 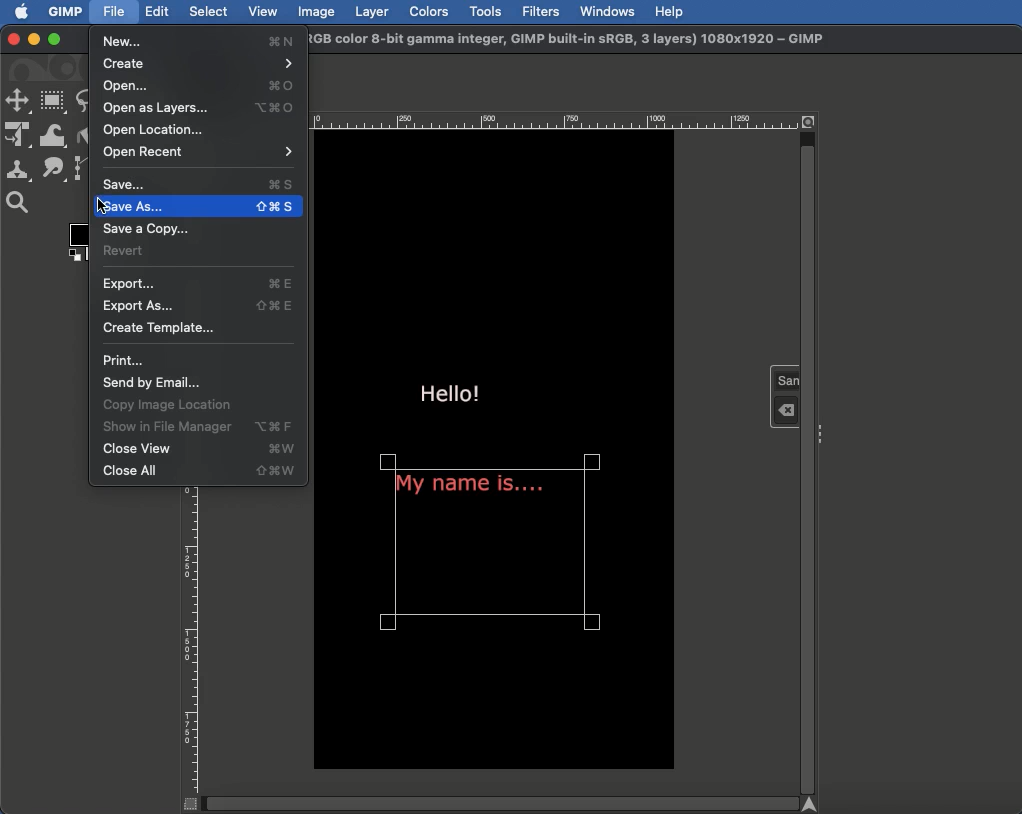 I want to click on Slider, so click(x=506, y=803).